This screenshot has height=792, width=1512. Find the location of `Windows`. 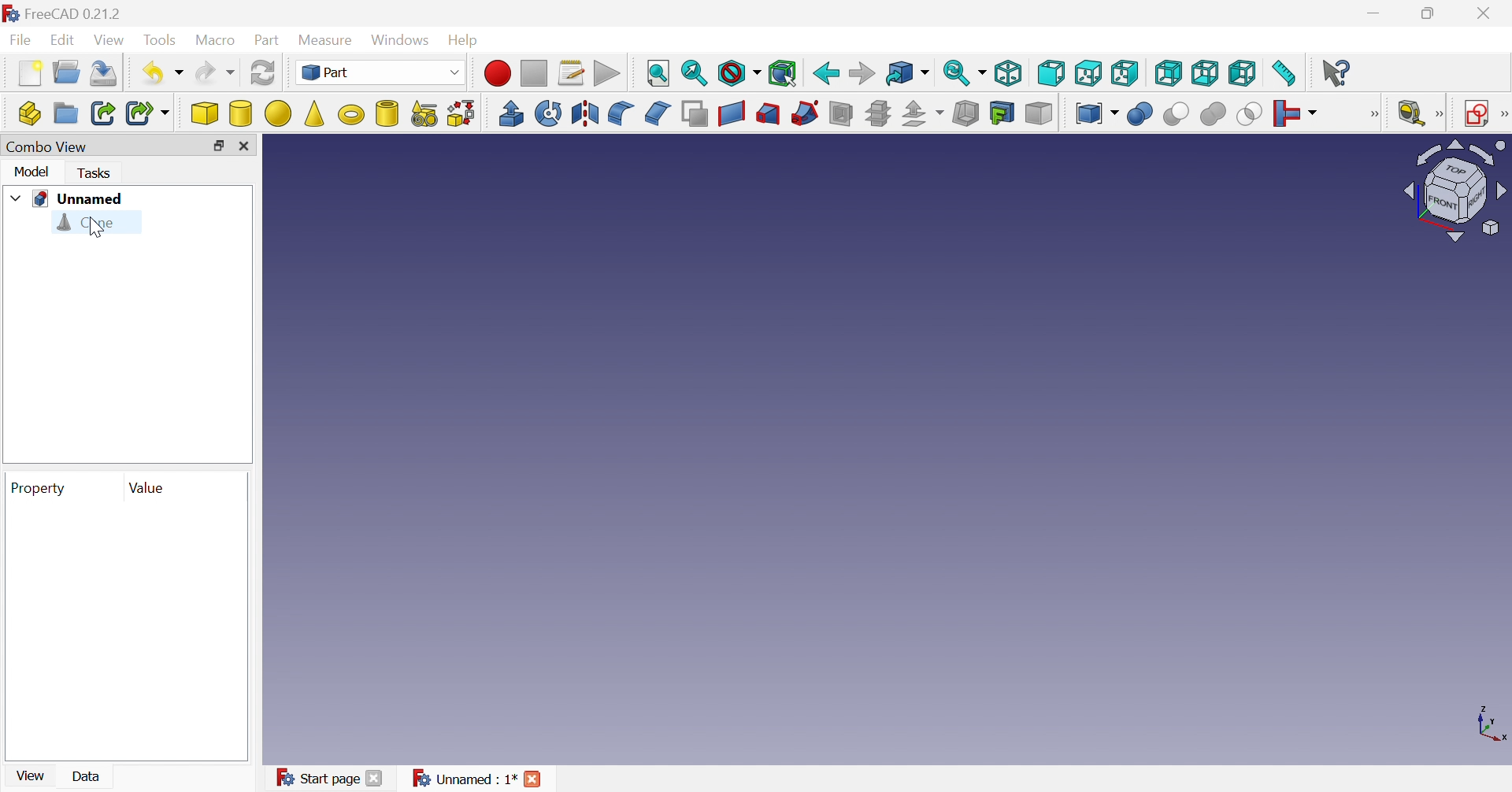

Windows is located at coordinates (399, 41).